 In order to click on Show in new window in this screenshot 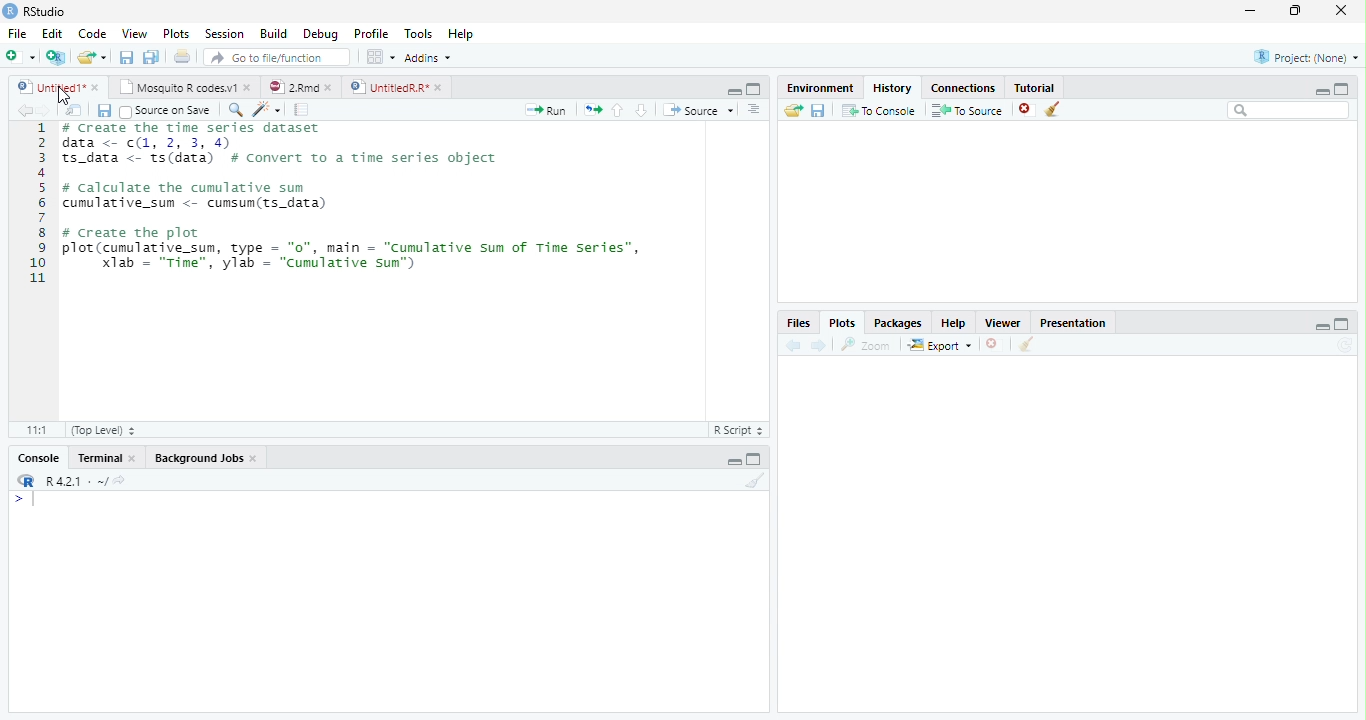, I will do `click(73, 113)`.